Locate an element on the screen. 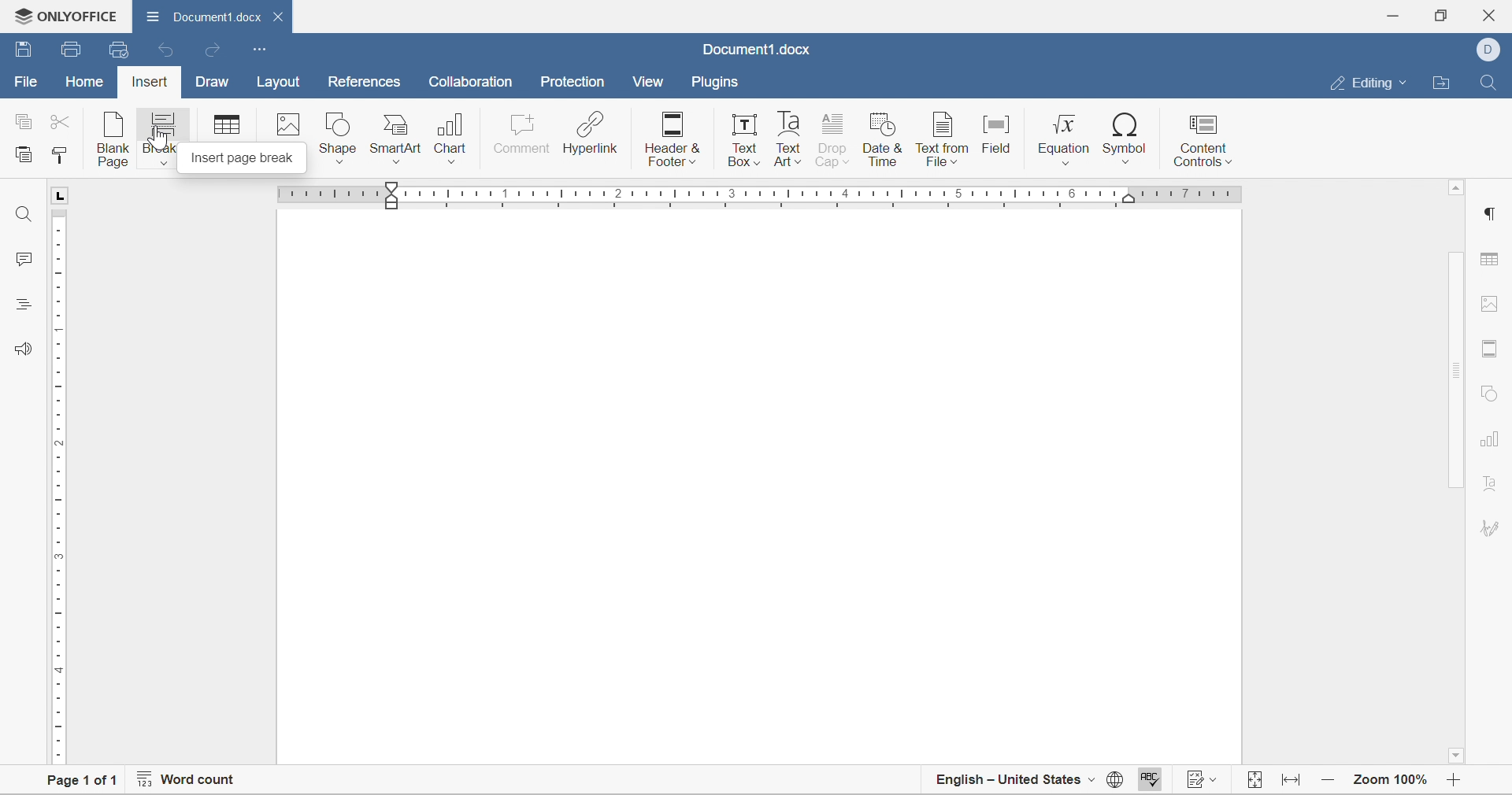 This screenshot has height=795, width=1512. Smart art is located at coordinates (398, 140).